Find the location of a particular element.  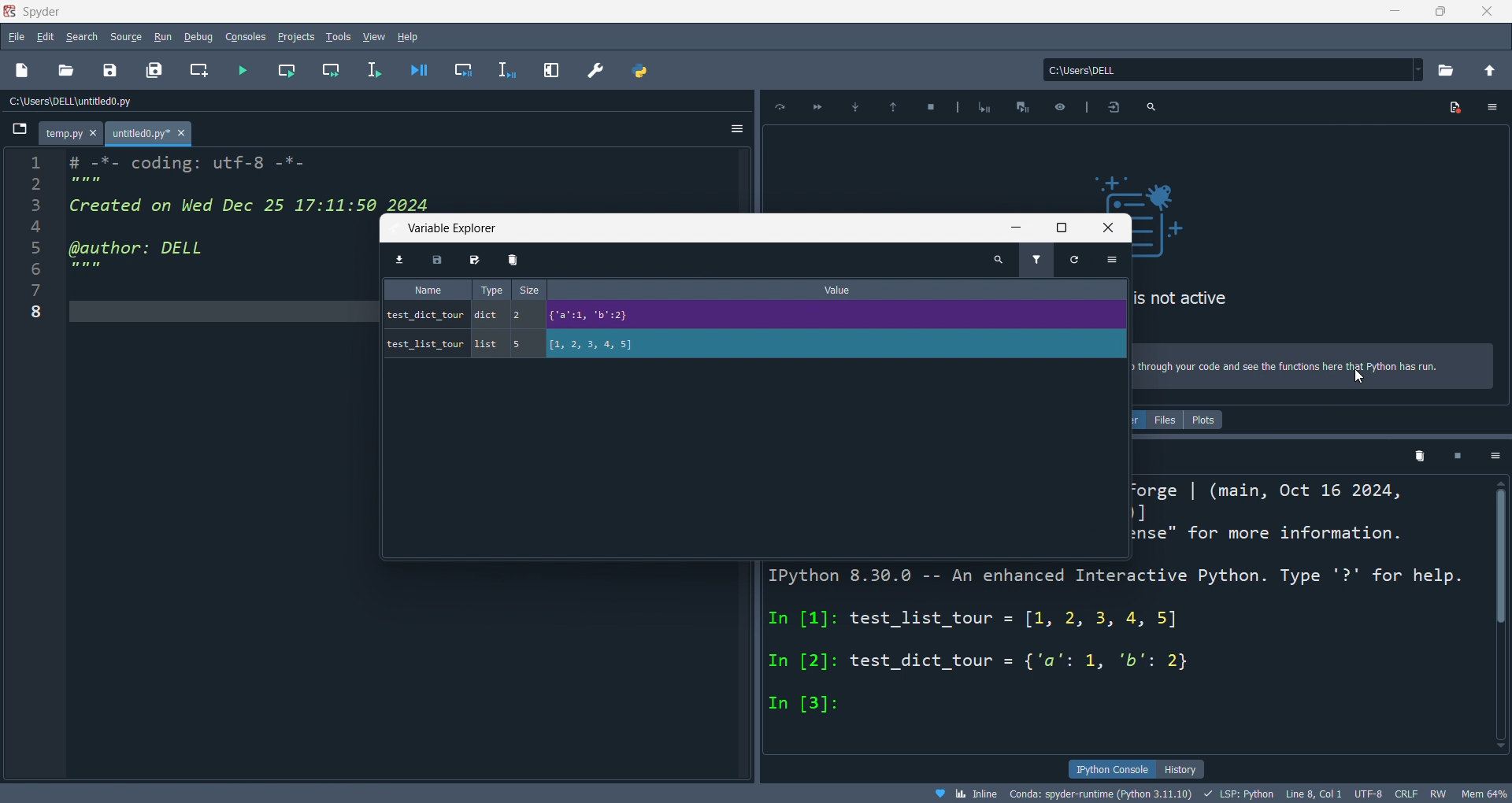

refresh is located at coordinates (1077, 264).